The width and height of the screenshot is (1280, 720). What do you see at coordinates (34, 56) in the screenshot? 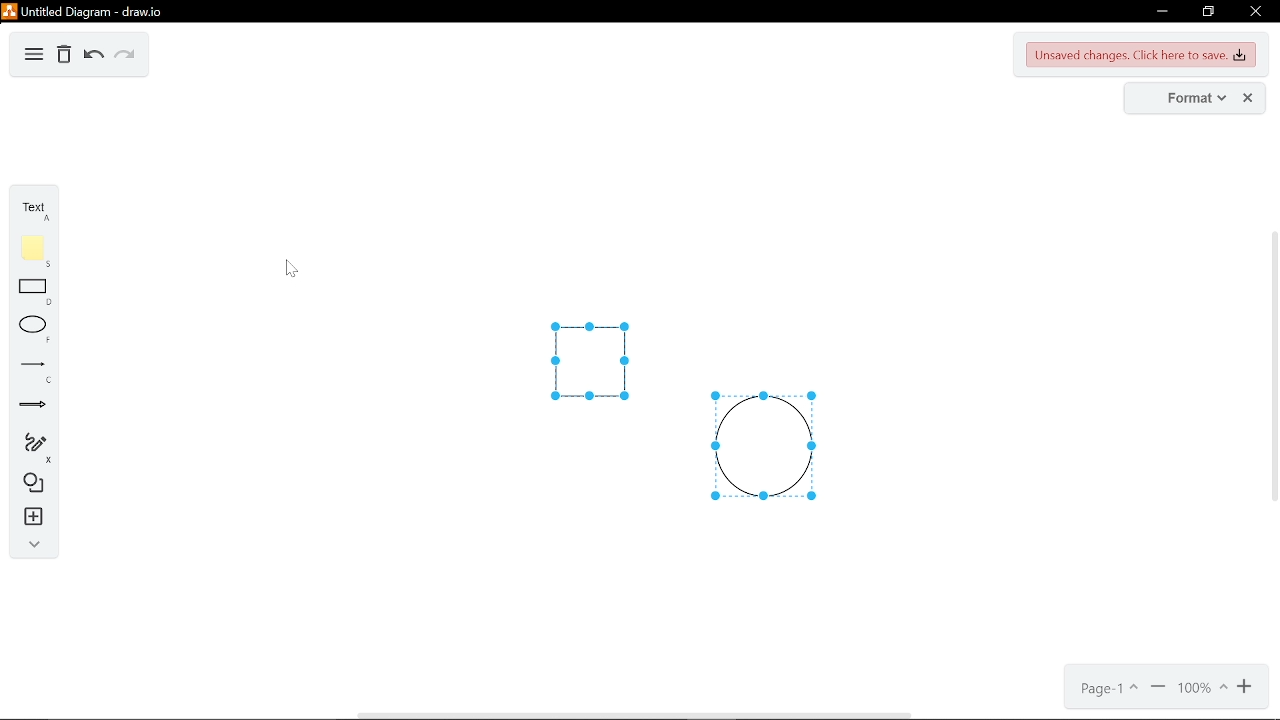
I see `diagram` at bounding box center [34, 56].